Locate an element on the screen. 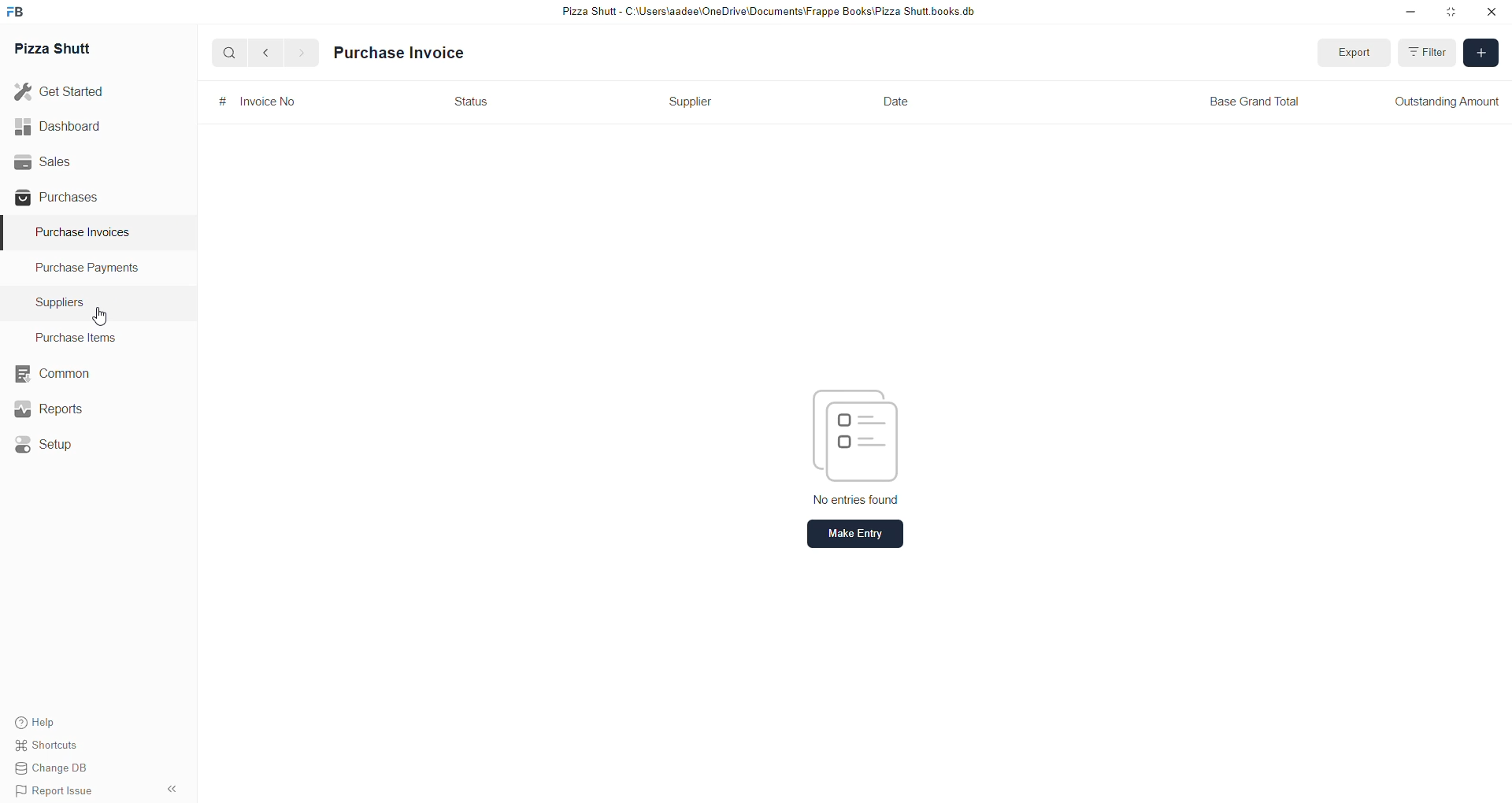 This screenshot has width=1512, height=803. ‘Common is located at coordinates (51, 372).